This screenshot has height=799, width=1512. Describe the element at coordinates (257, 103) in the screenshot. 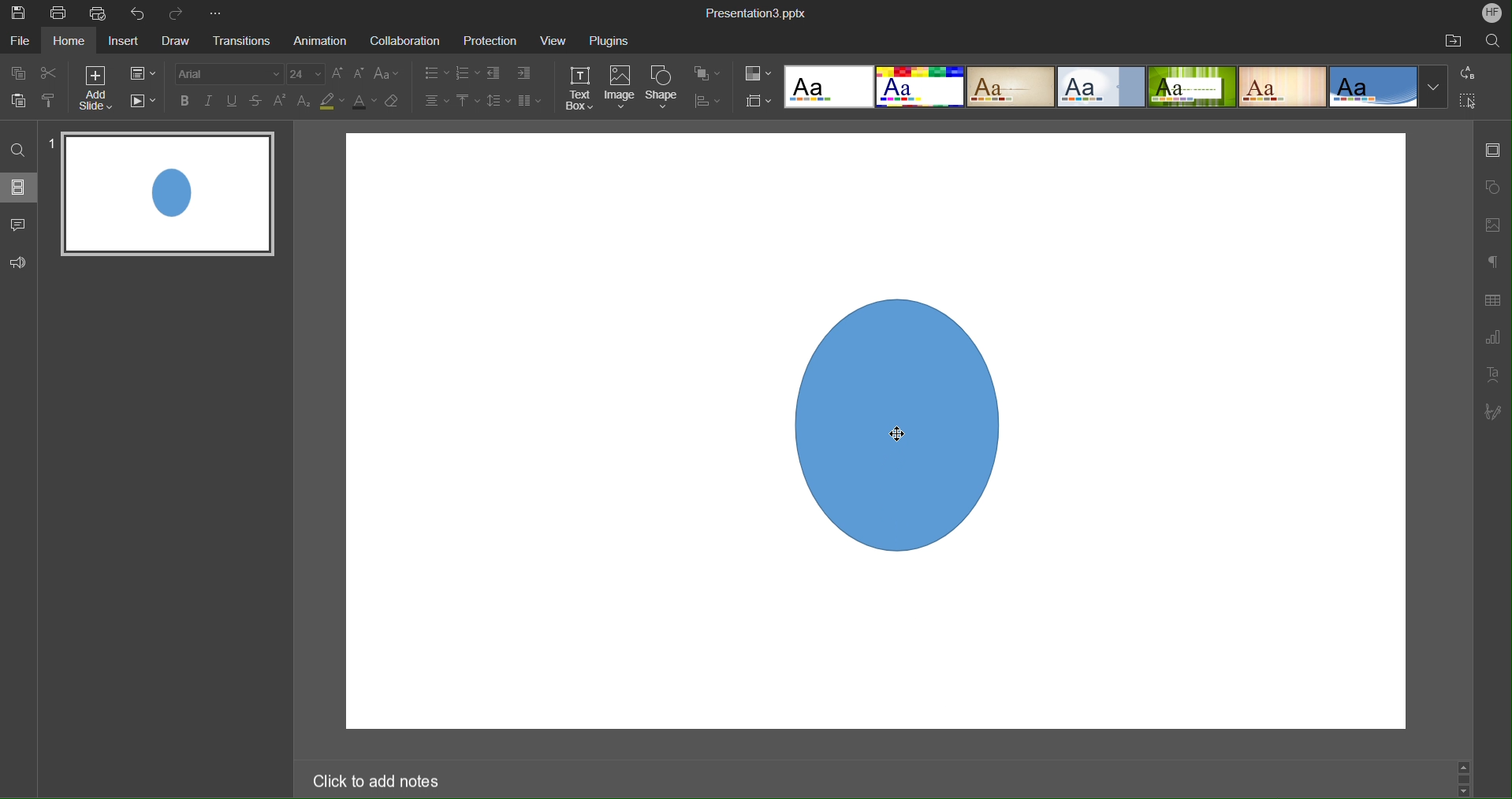

I see `Strikethrough` at that location.